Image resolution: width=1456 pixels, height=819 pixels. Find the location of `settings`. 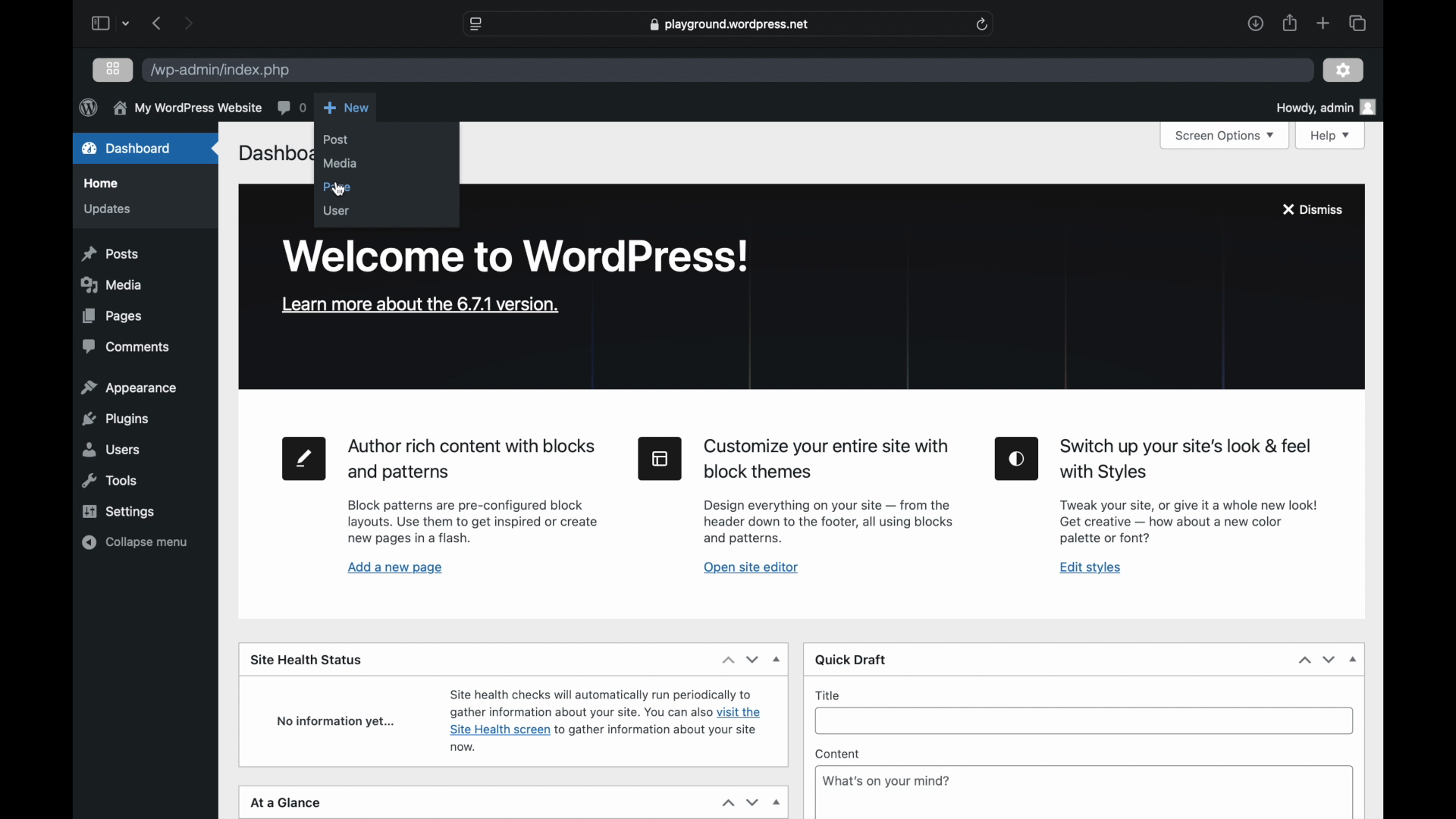

settings is located at coordinates (1344, 71).